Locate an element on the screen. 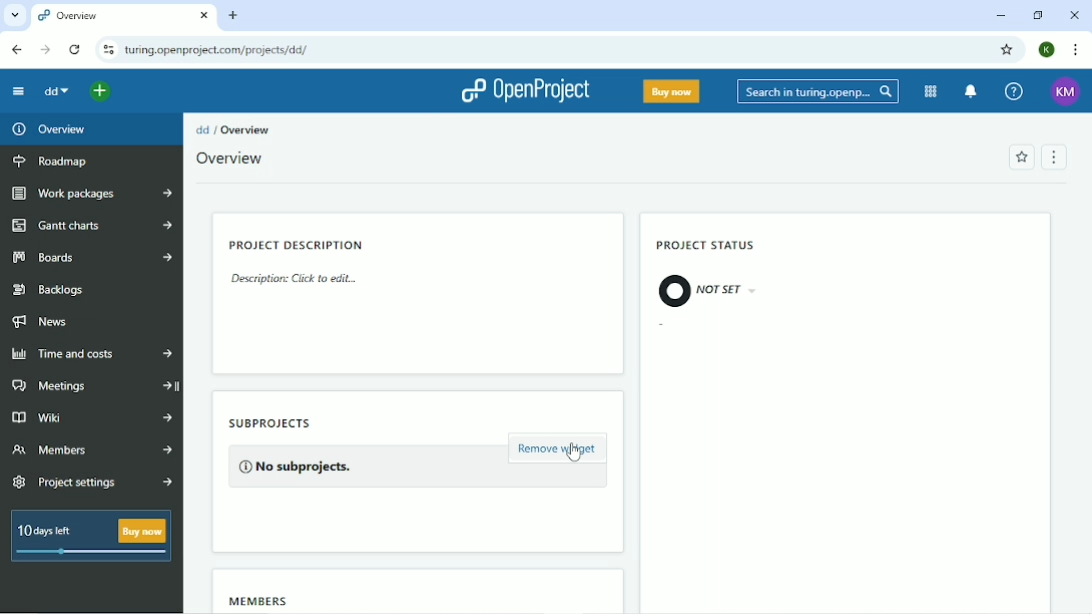  Not set is located at coordinates (710, 291).